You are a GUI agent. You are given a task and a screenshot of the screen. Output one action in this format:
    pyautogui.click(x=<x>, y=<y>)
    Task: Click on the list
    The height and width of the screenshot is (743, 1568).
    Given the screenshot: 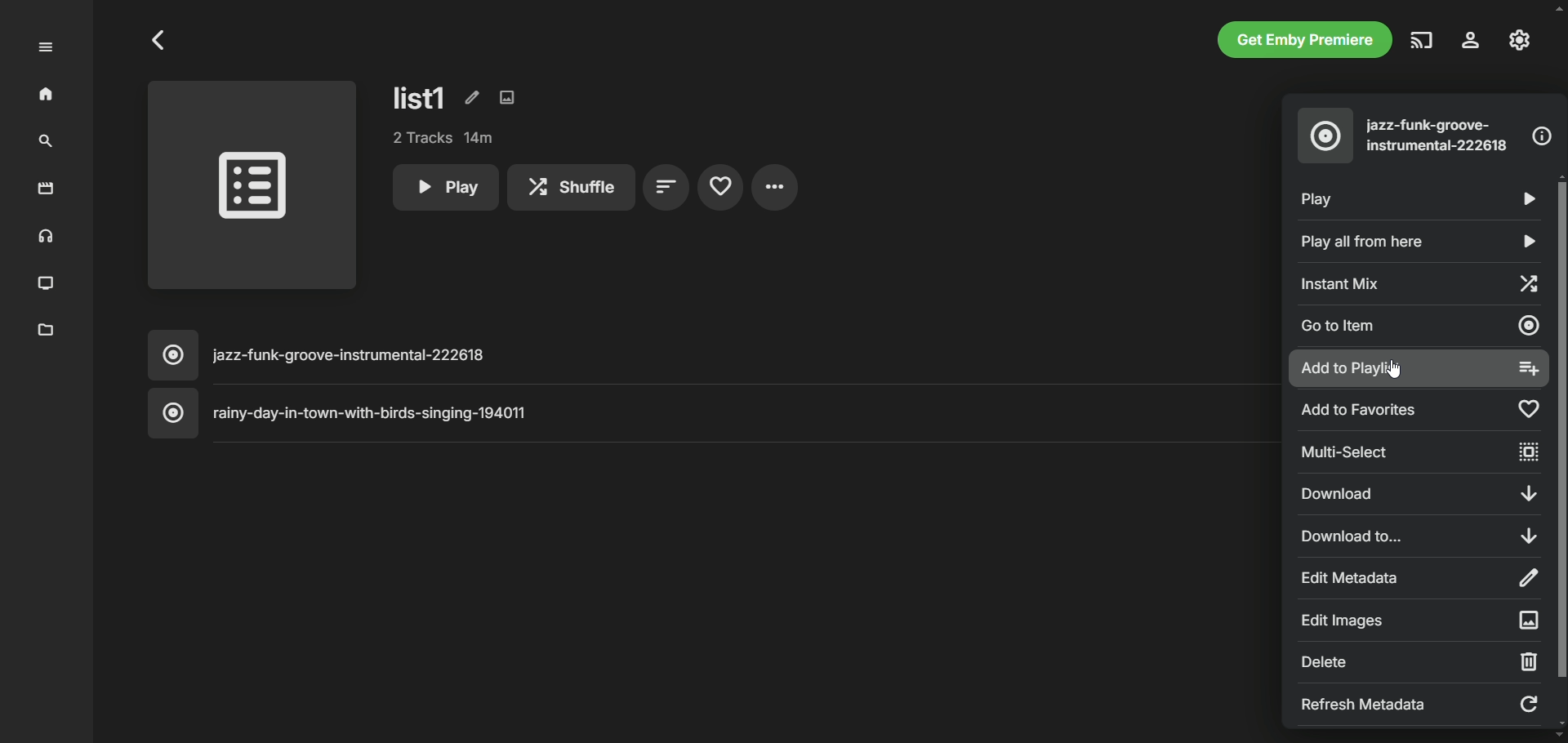 What is the action you would take?
    pyautogui.click(x=421, y=97)
    